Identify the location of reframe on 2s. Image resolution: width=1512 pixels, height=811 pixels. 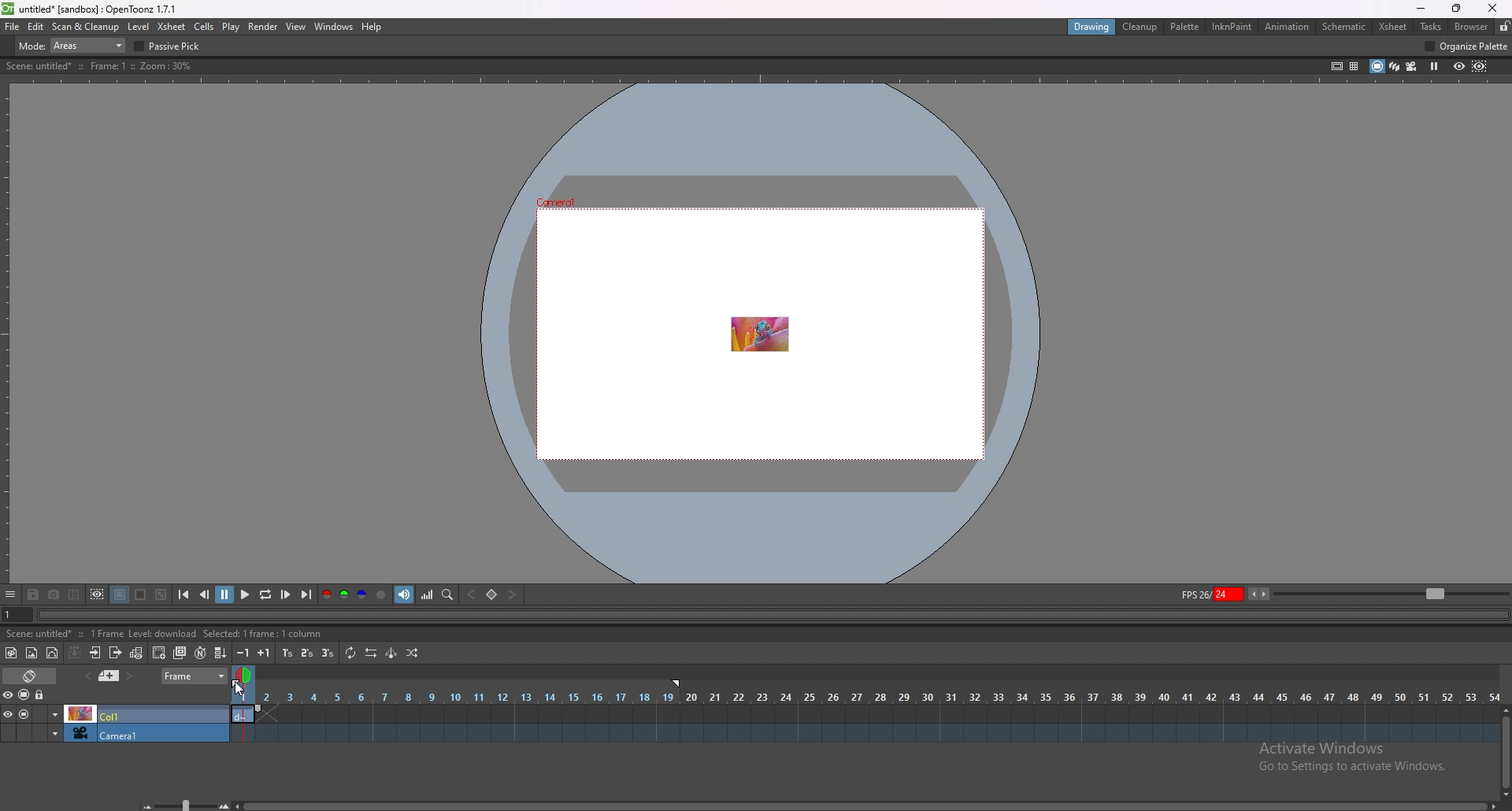
(308, 653).